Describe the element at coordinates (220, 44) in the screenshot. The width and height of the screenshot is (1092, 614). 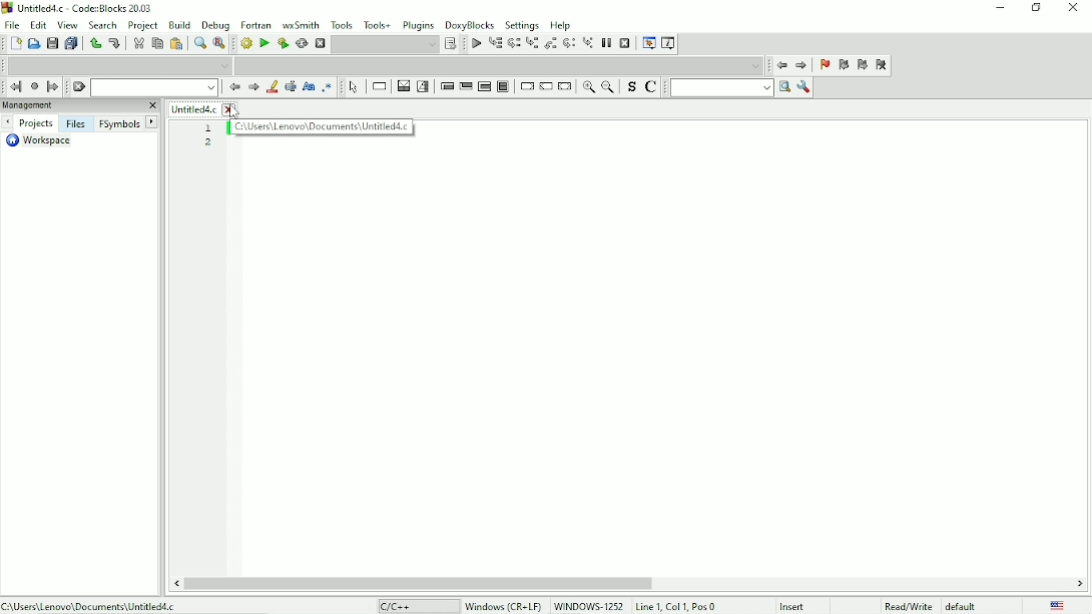
I see `Replace` at that location.